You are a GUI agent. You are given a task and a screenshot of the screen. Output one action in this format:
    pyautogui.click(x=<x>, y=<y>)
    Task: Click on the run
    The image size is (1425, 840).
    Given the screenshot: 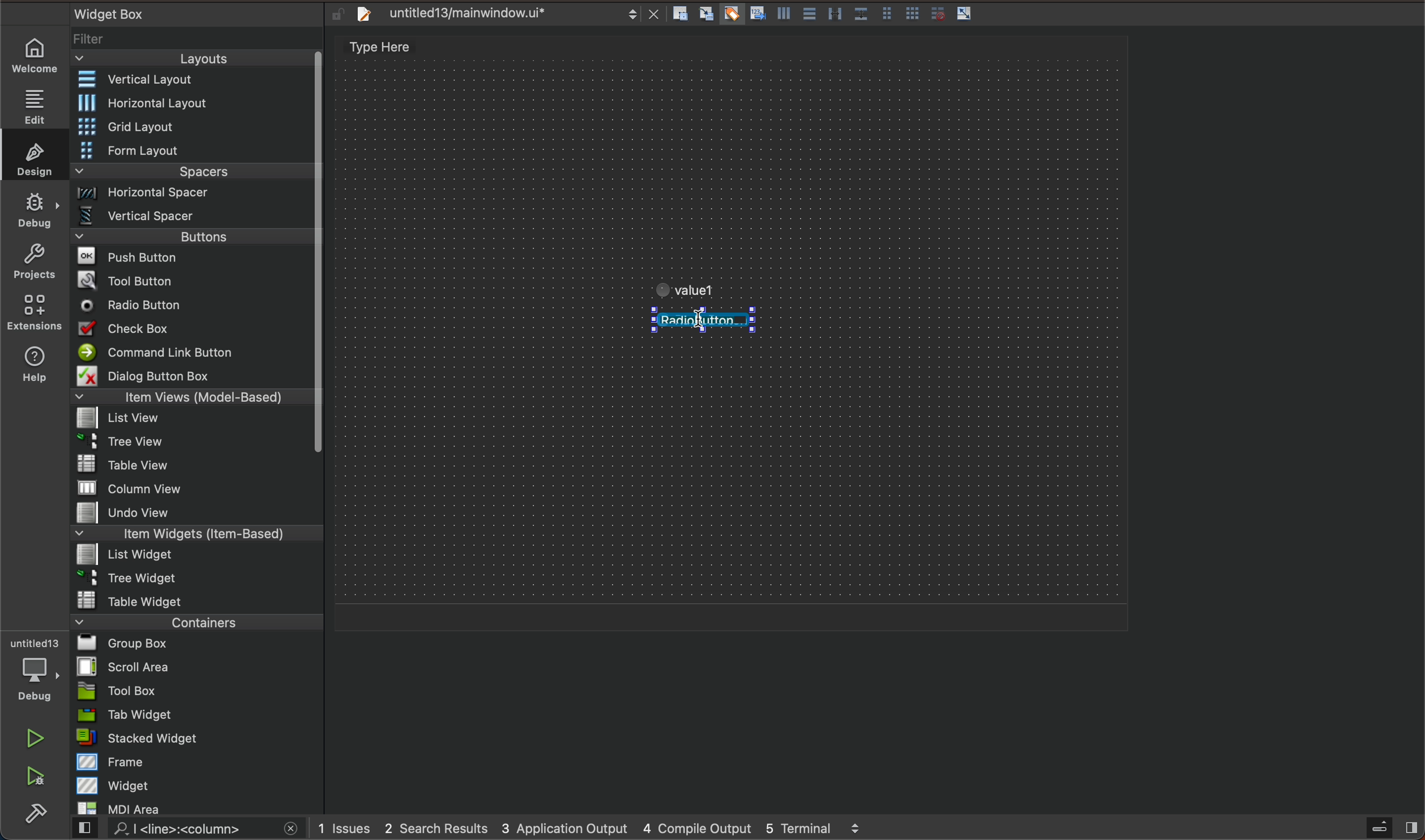 What is the action you would take?
    pyautogui.click(x=37, y=738)
    